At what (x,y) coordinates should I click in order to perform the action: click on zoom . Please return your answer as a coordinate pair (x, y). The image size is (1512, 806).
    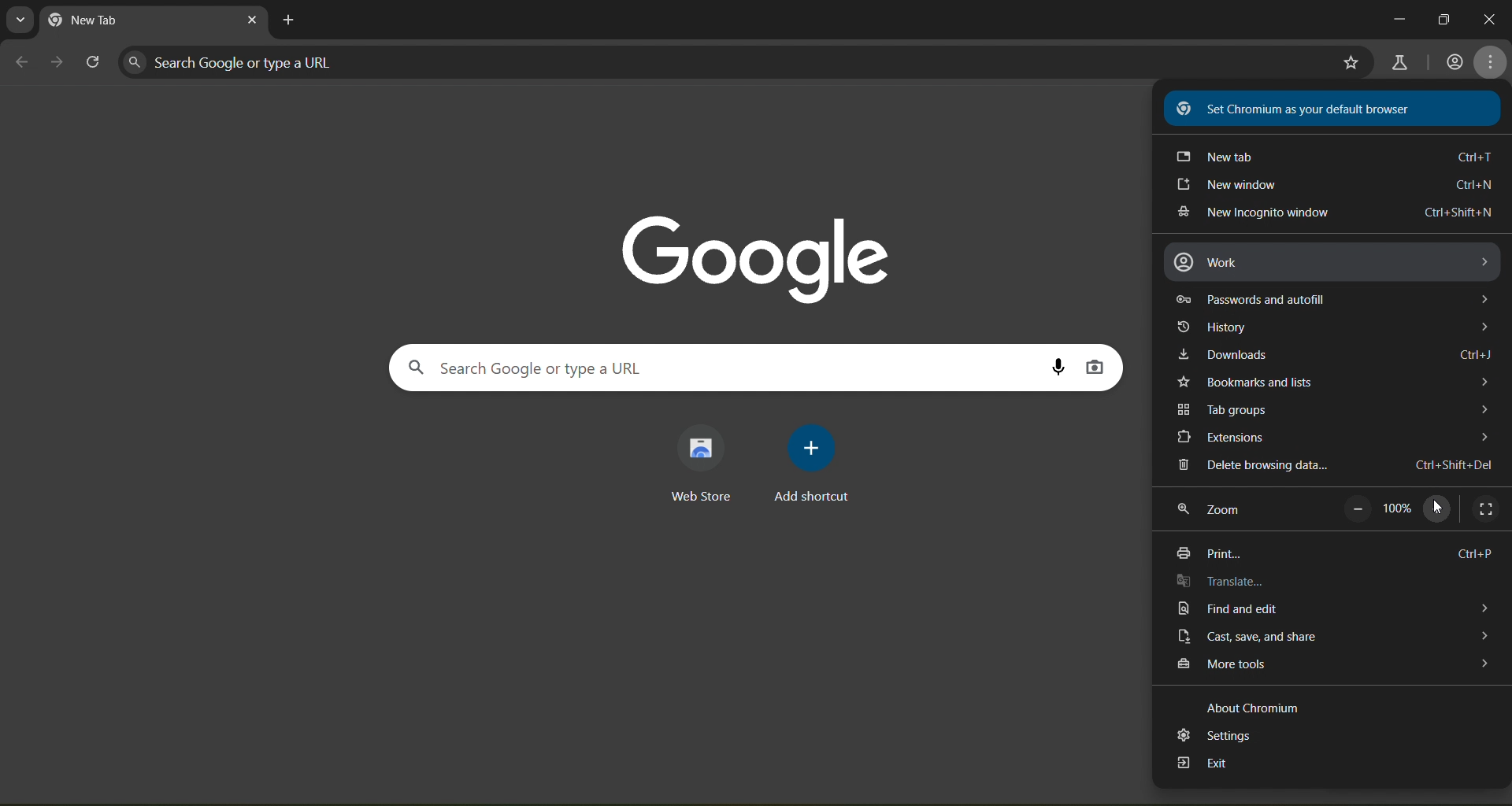
    Looking at the image, I should click on (1213, 513).